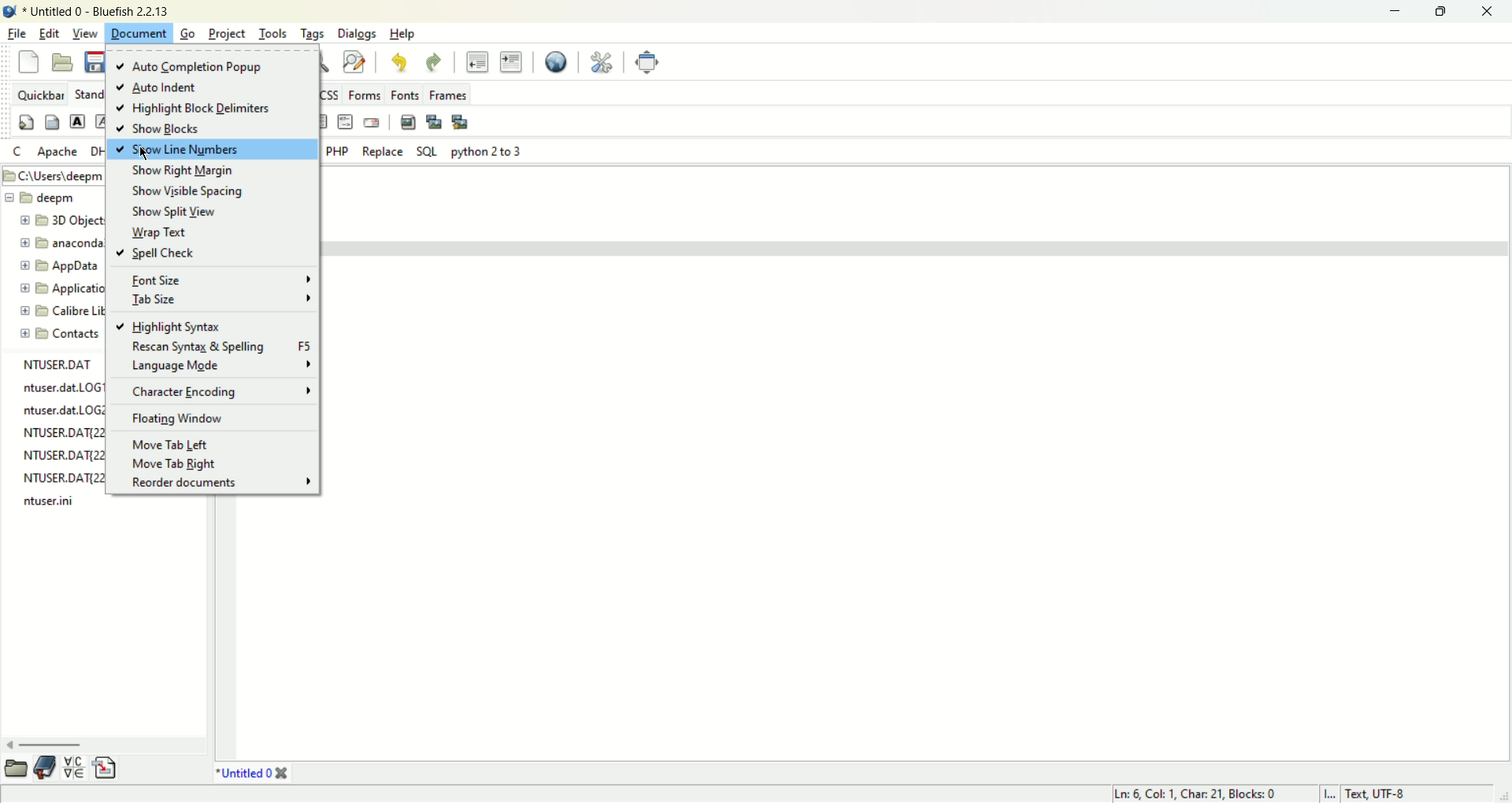 The height and width of the screenshot is (803, 1512). Describe the element at coordinates (374, 122) in the screenshot. I see `email` at that location.